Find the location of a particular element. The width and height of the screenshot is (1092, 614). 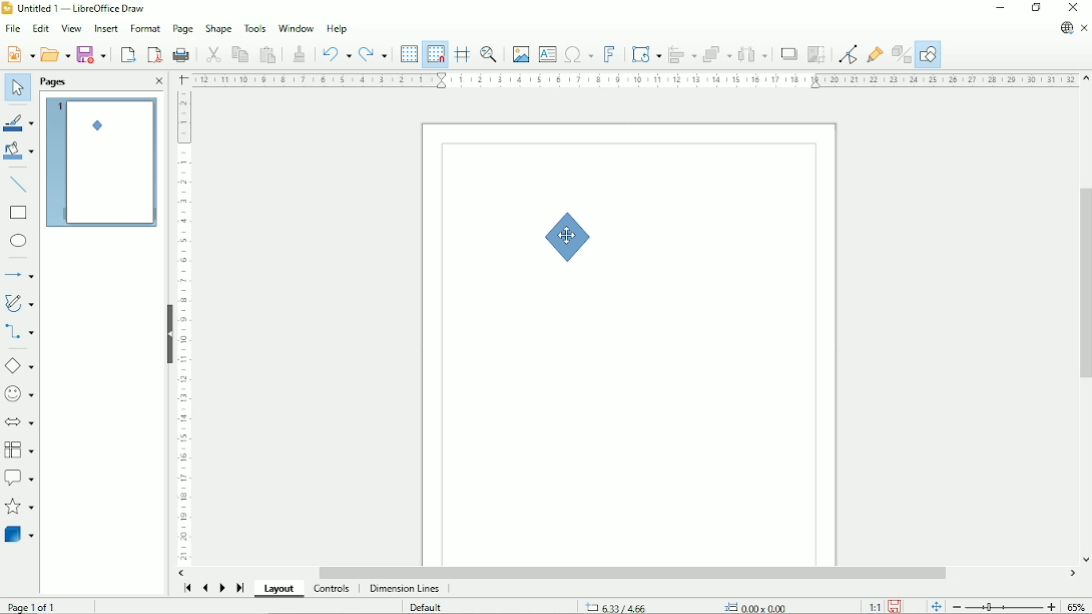

Curves and polygons is located at coordinates (20, 302).